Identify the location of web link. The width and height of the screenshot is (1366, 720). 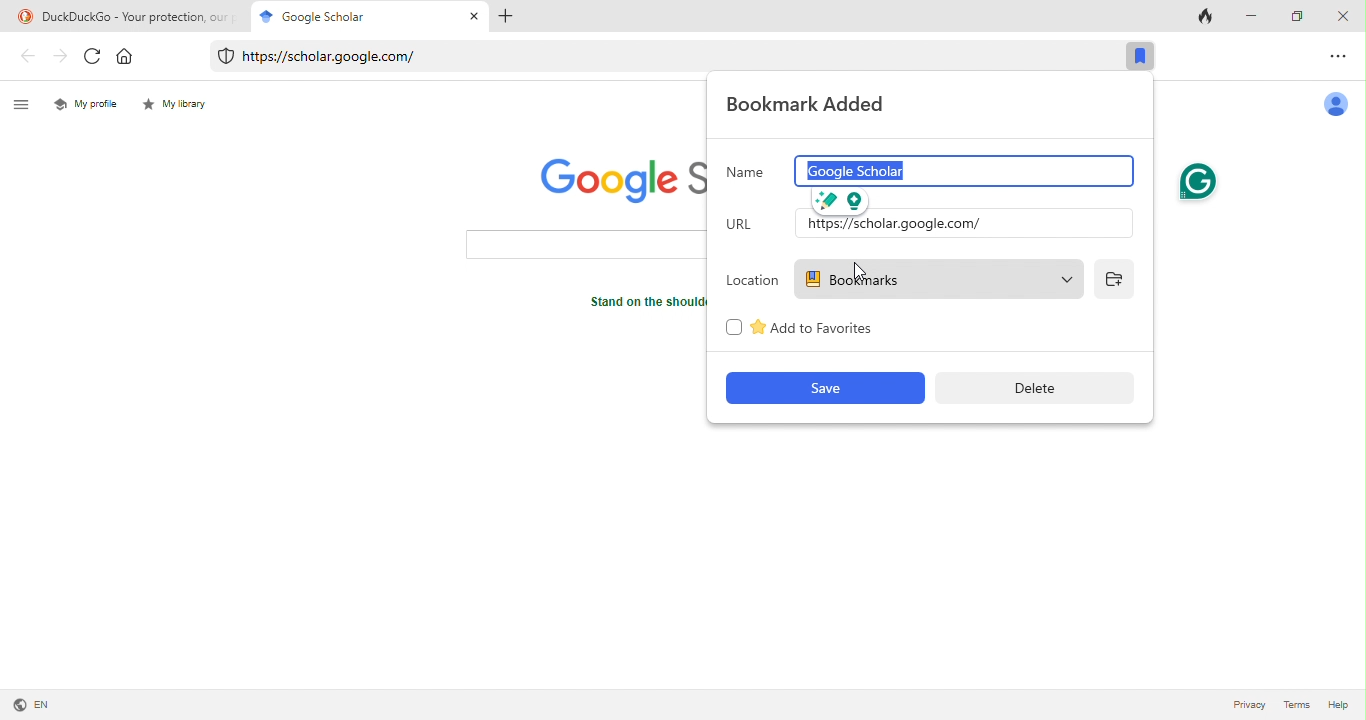
(657, 57).